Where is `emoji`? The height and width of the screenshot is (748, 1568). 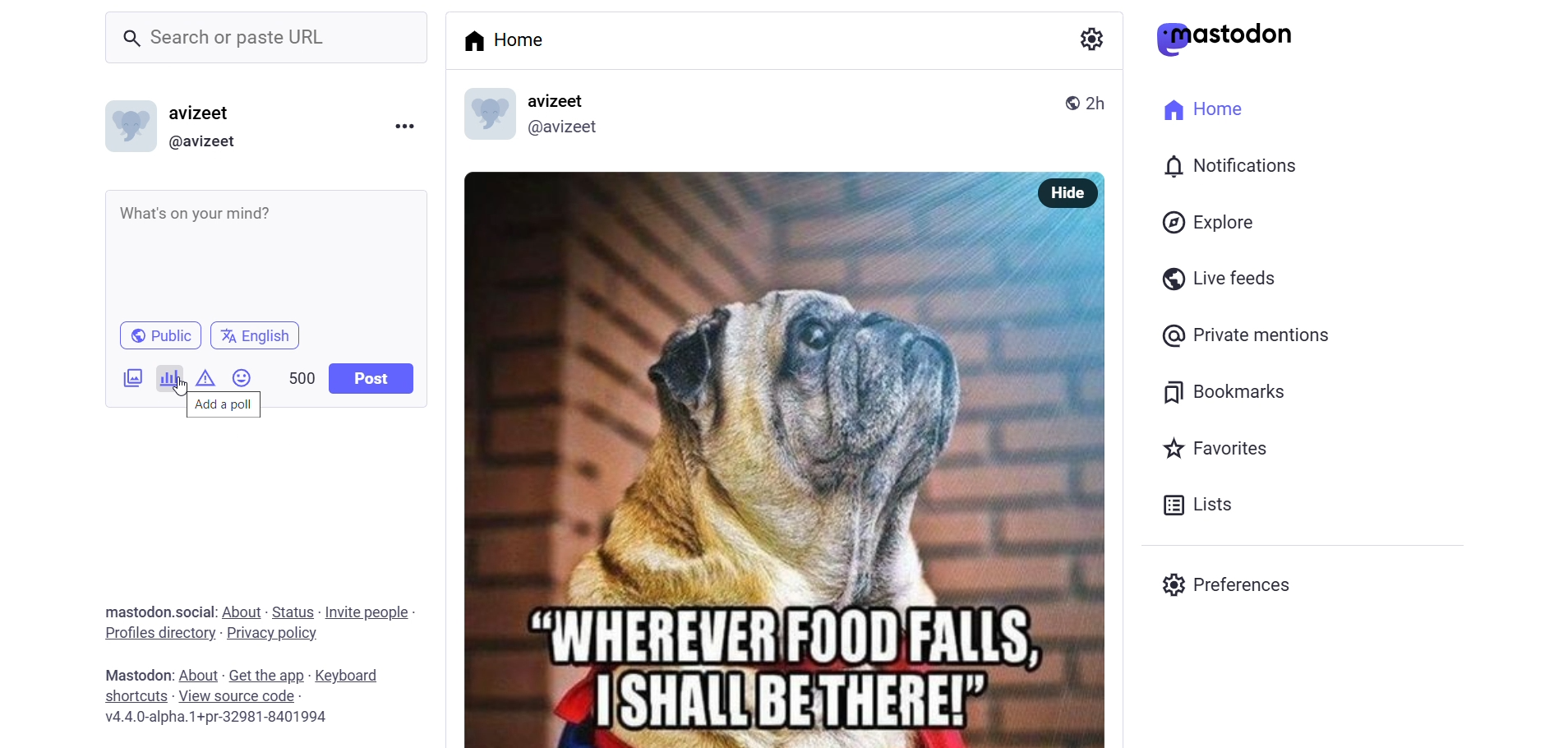
emoji is located at coordinates (240, 378).